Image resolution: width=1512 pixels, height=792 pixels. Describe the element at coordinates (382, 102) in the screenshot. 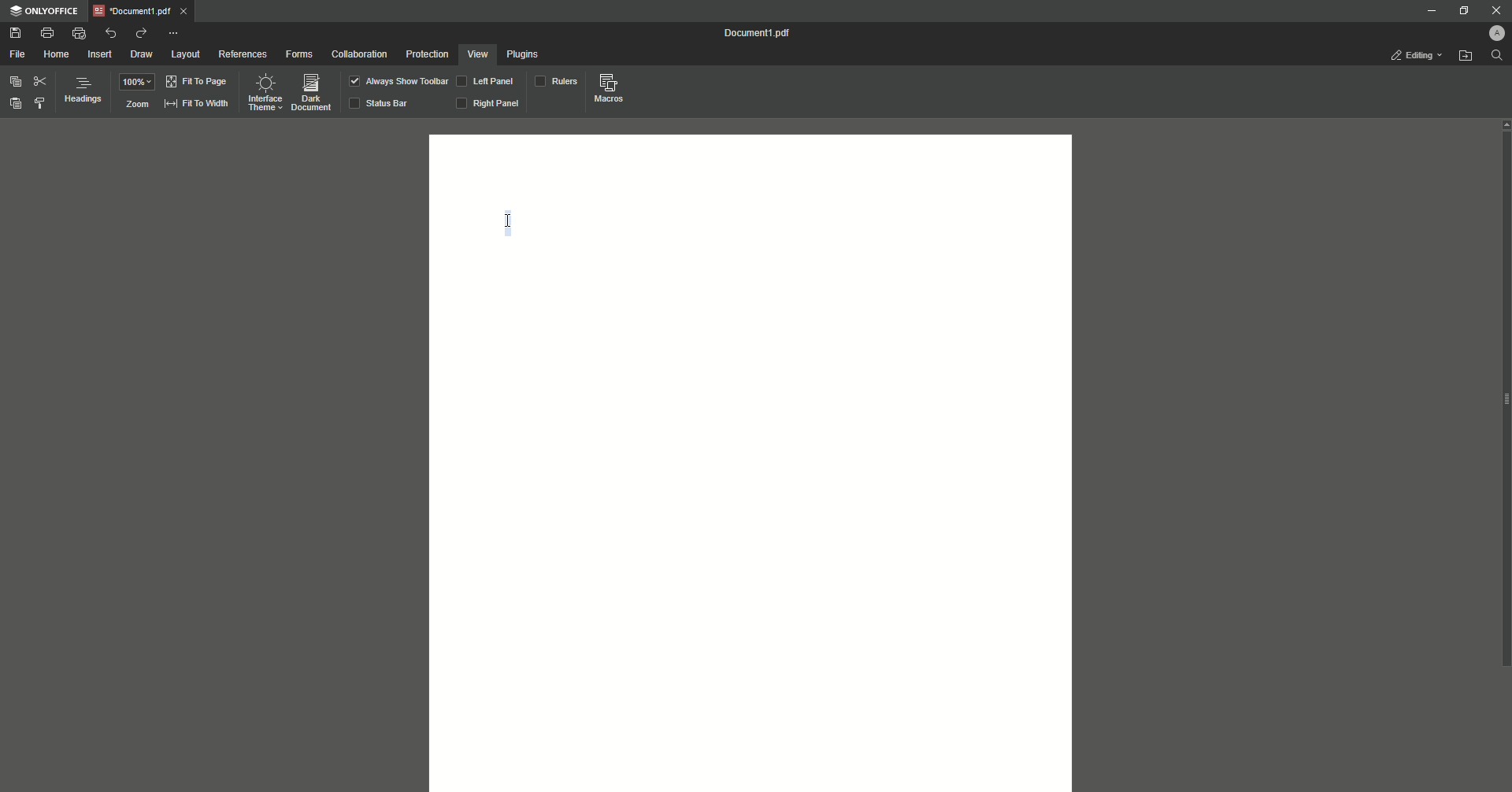

I see `Status Bar` at that location.